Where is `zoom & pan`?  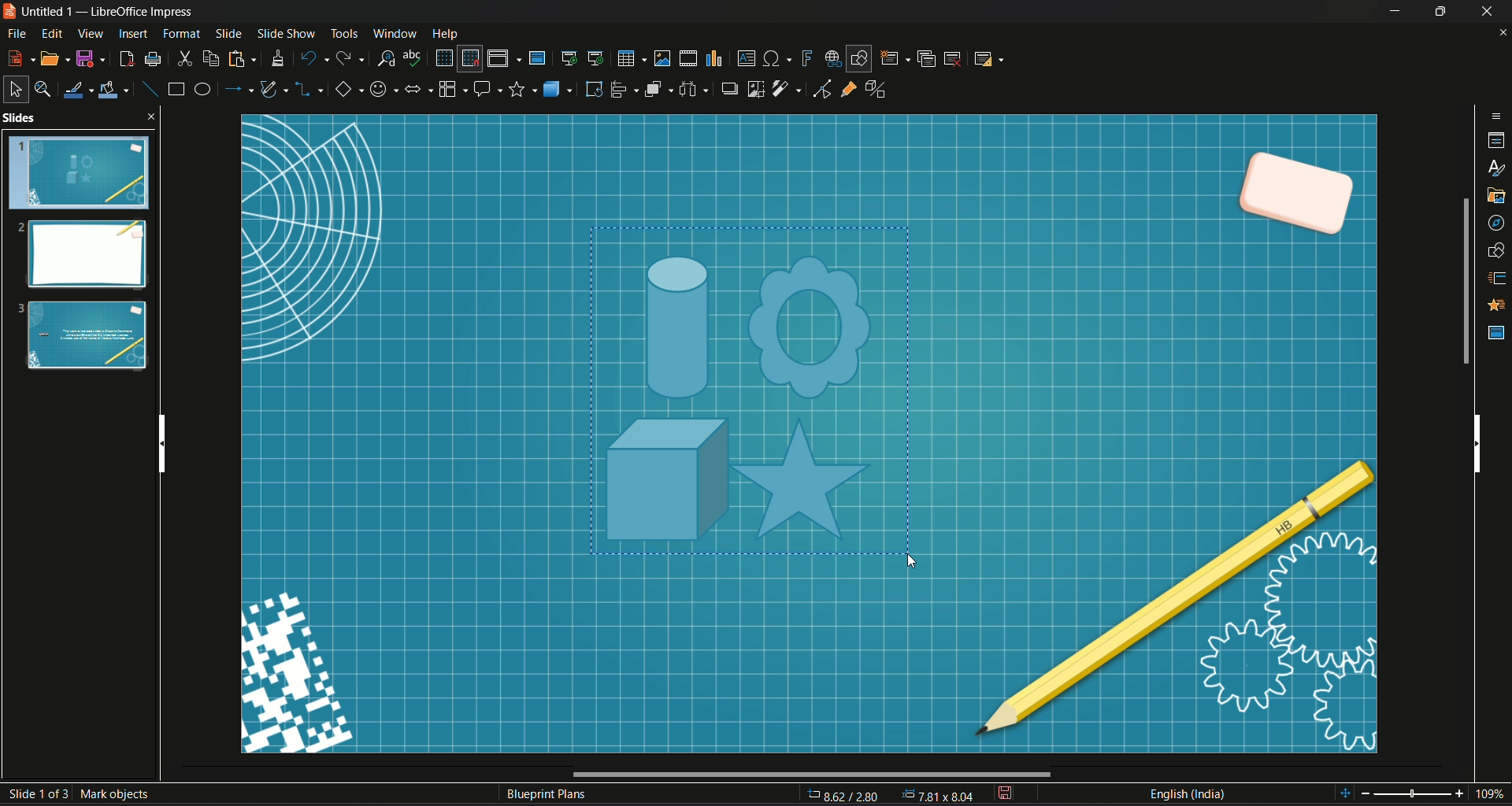
zoom & pan is located at coordinates (42, 87).